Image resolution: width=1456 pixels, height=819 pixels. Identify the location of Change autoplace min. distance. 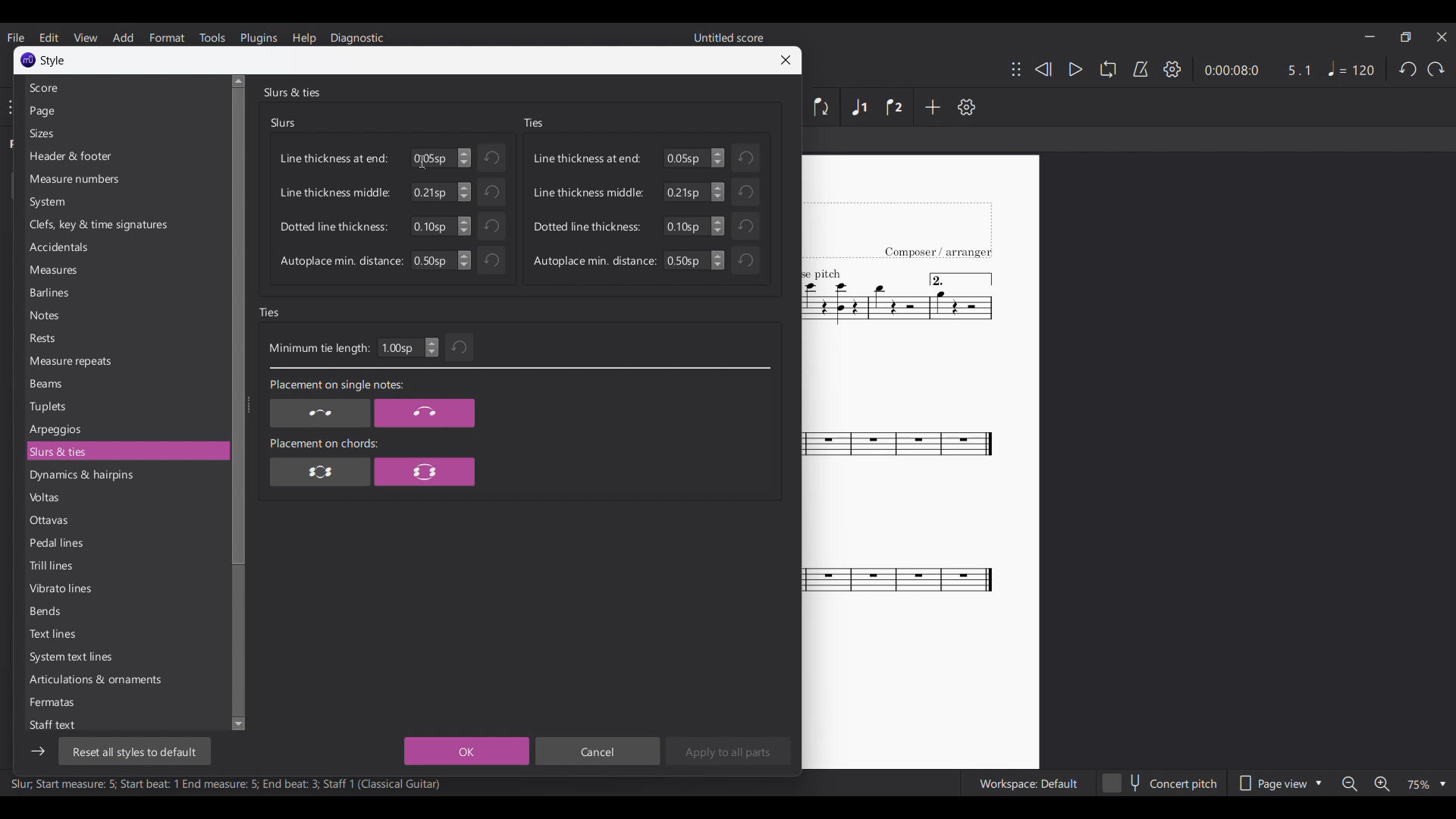
(718, 260).